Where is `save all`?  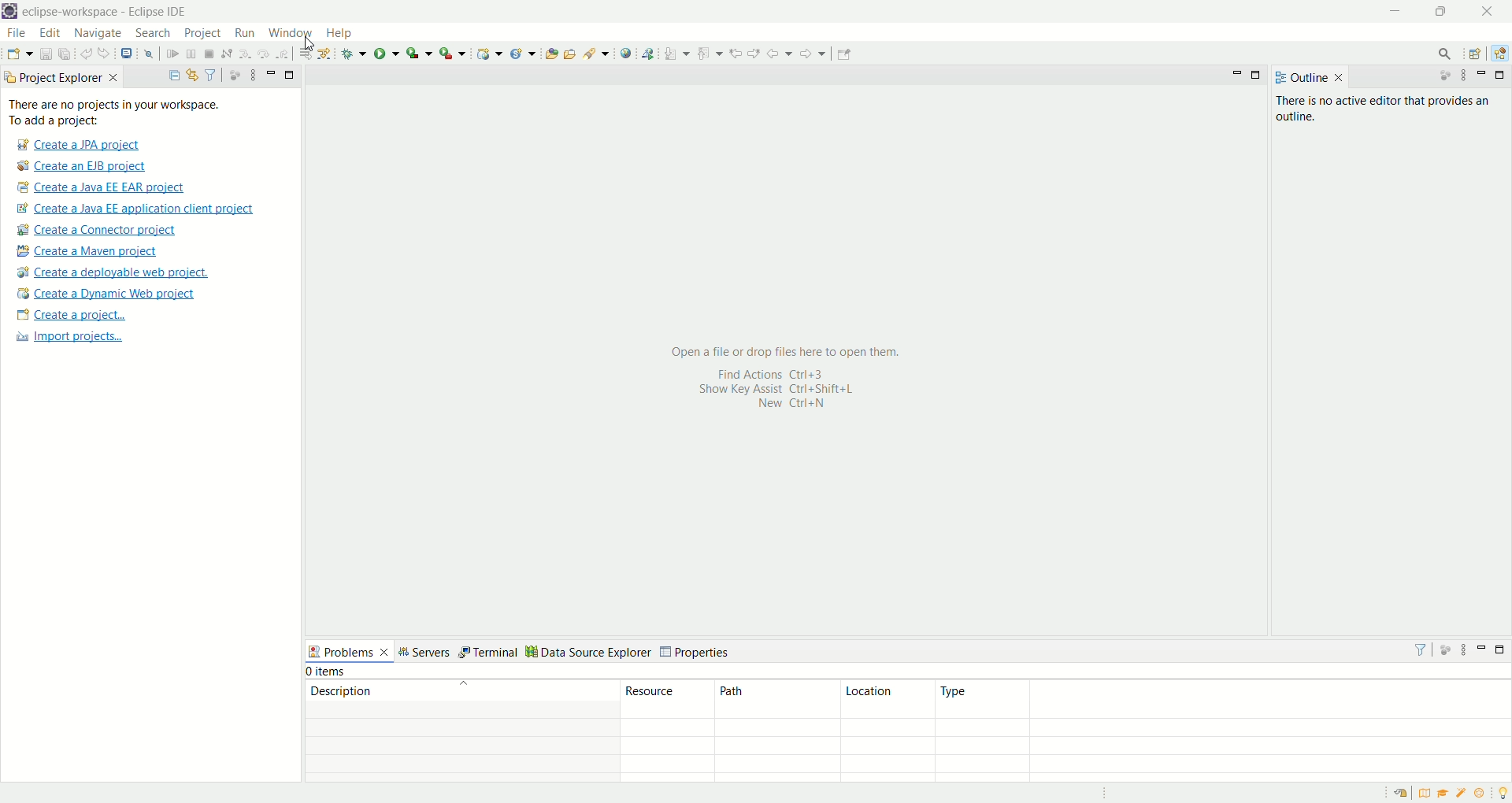 save all is located at coordinates (65, 54).